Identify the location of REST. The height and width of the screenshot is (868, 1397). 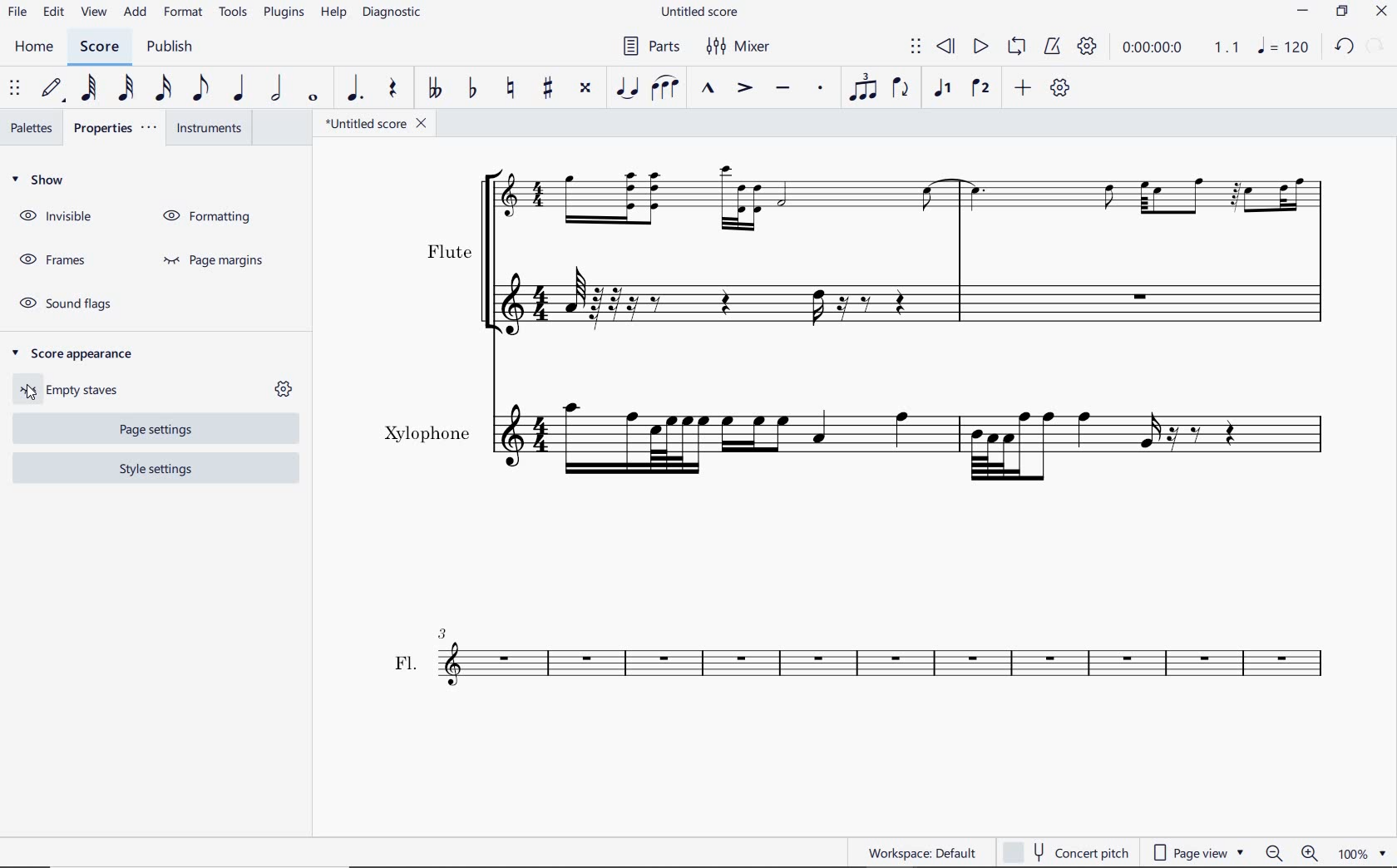
(395, 89).